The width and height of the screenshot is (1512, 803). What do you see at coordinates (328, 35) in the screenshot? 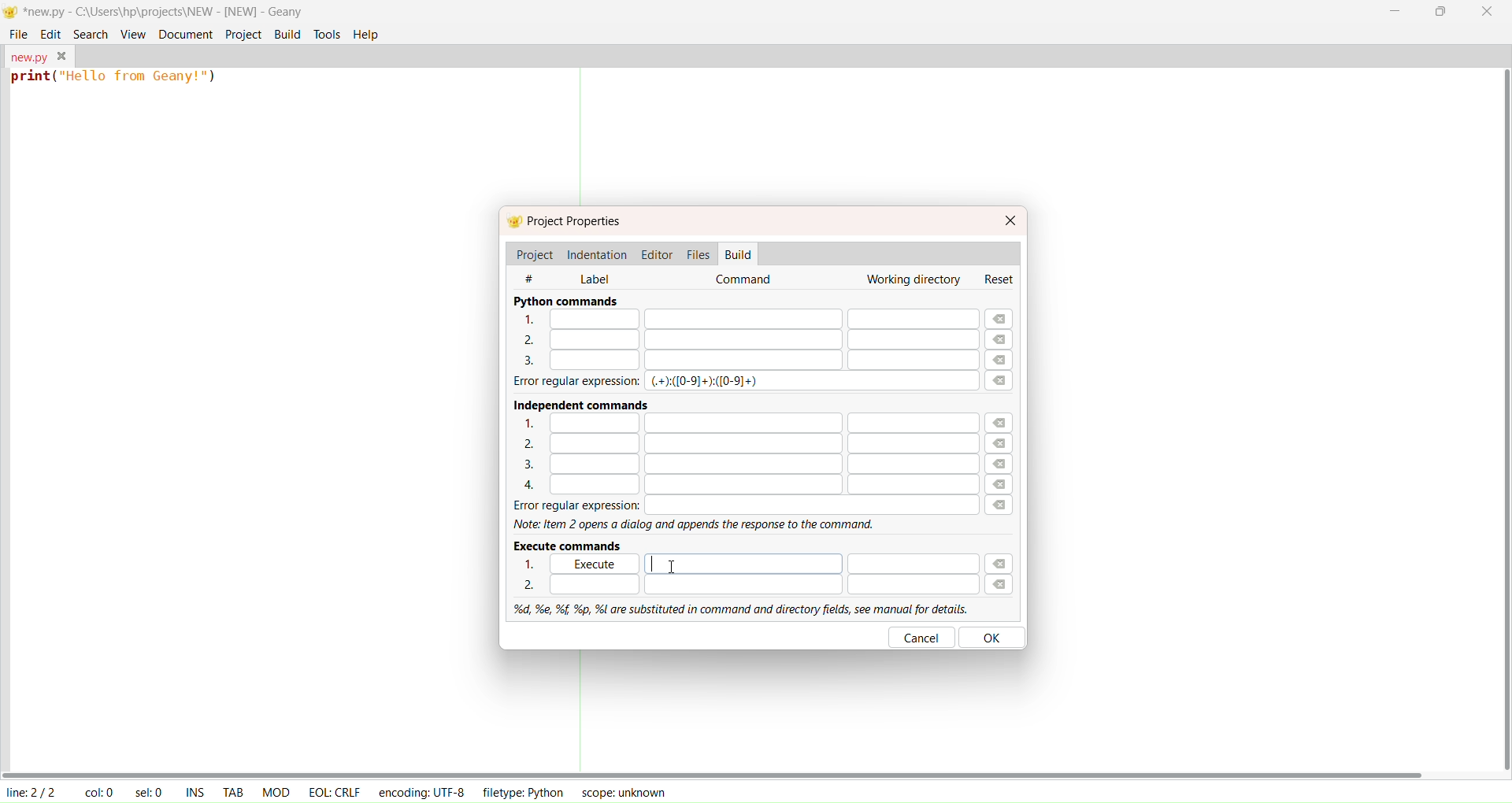
I see `tools` at bounding box center [328, 35].